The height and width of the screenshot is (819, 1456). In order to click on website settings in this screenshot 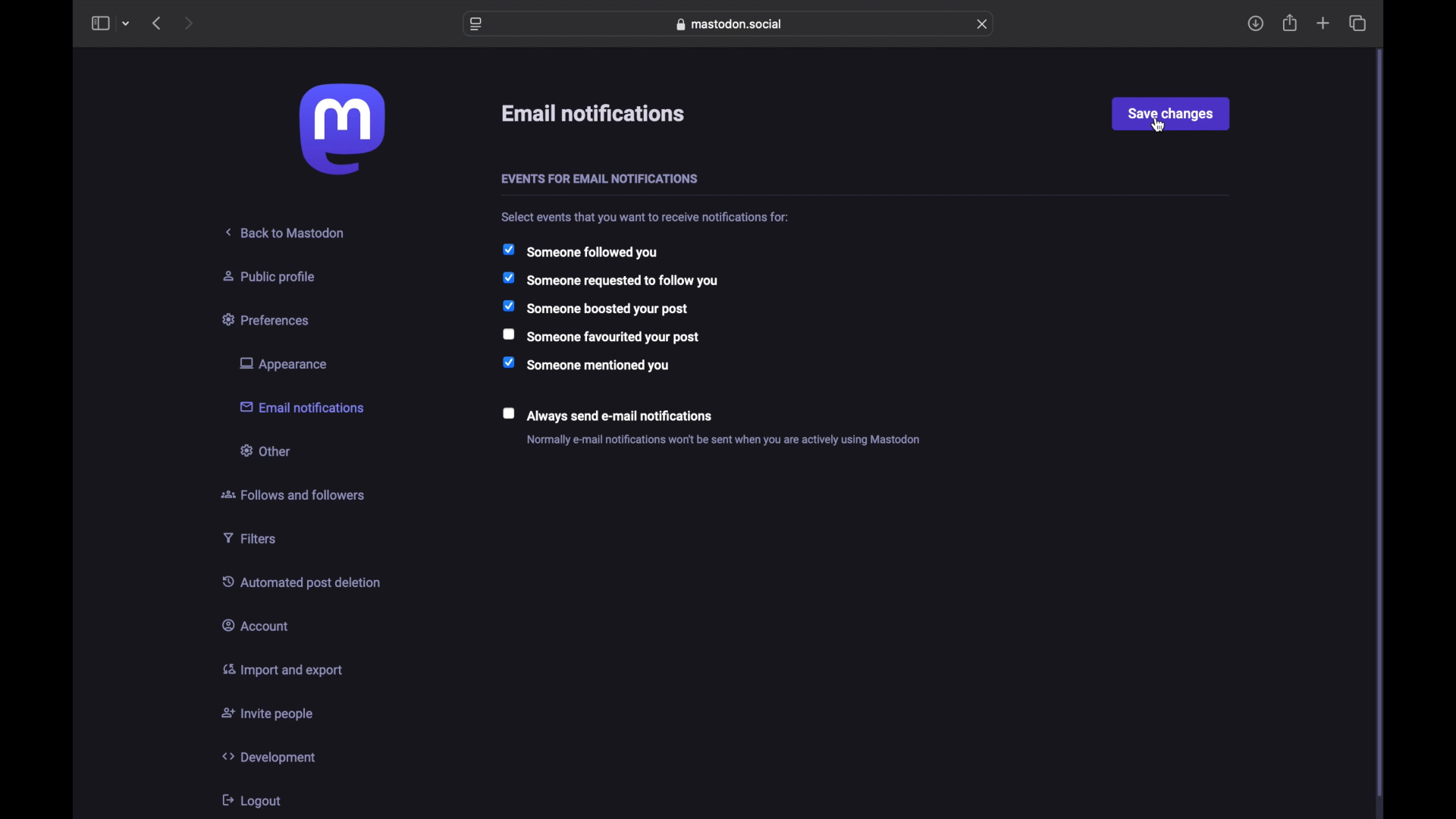, I will do `click(476, 24)`.